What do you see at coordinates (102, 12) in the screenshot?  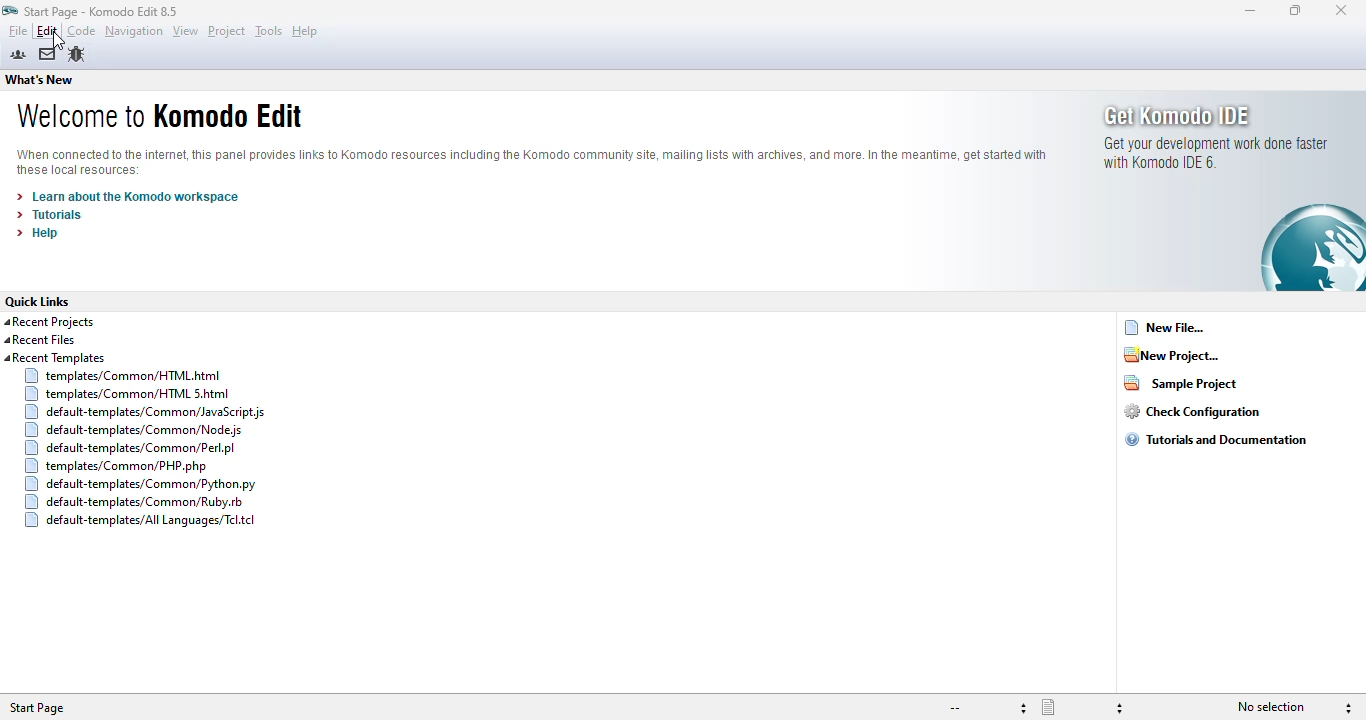 I see `start page` at bounding box center [102, 12].